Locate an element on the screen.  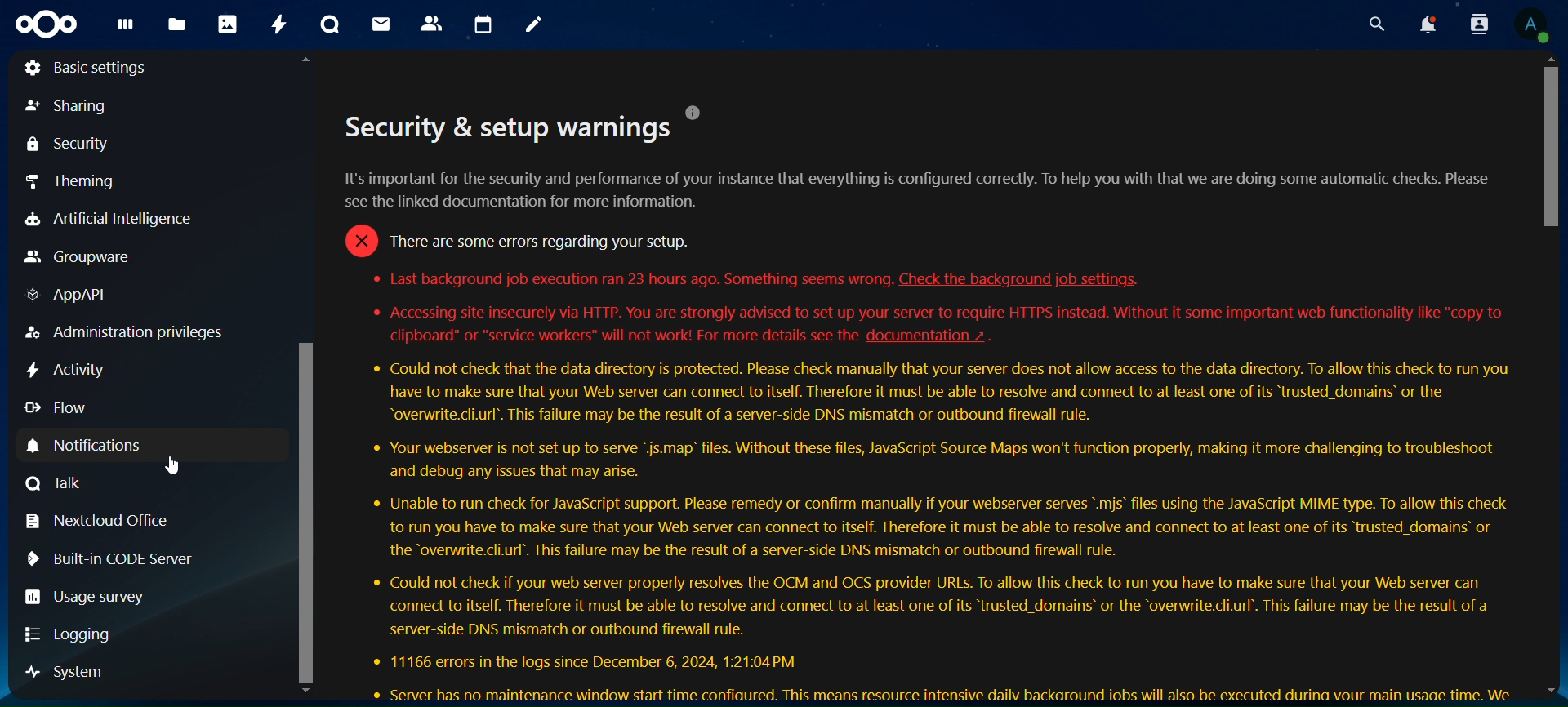
contacts is located at coordinates (432, 23).